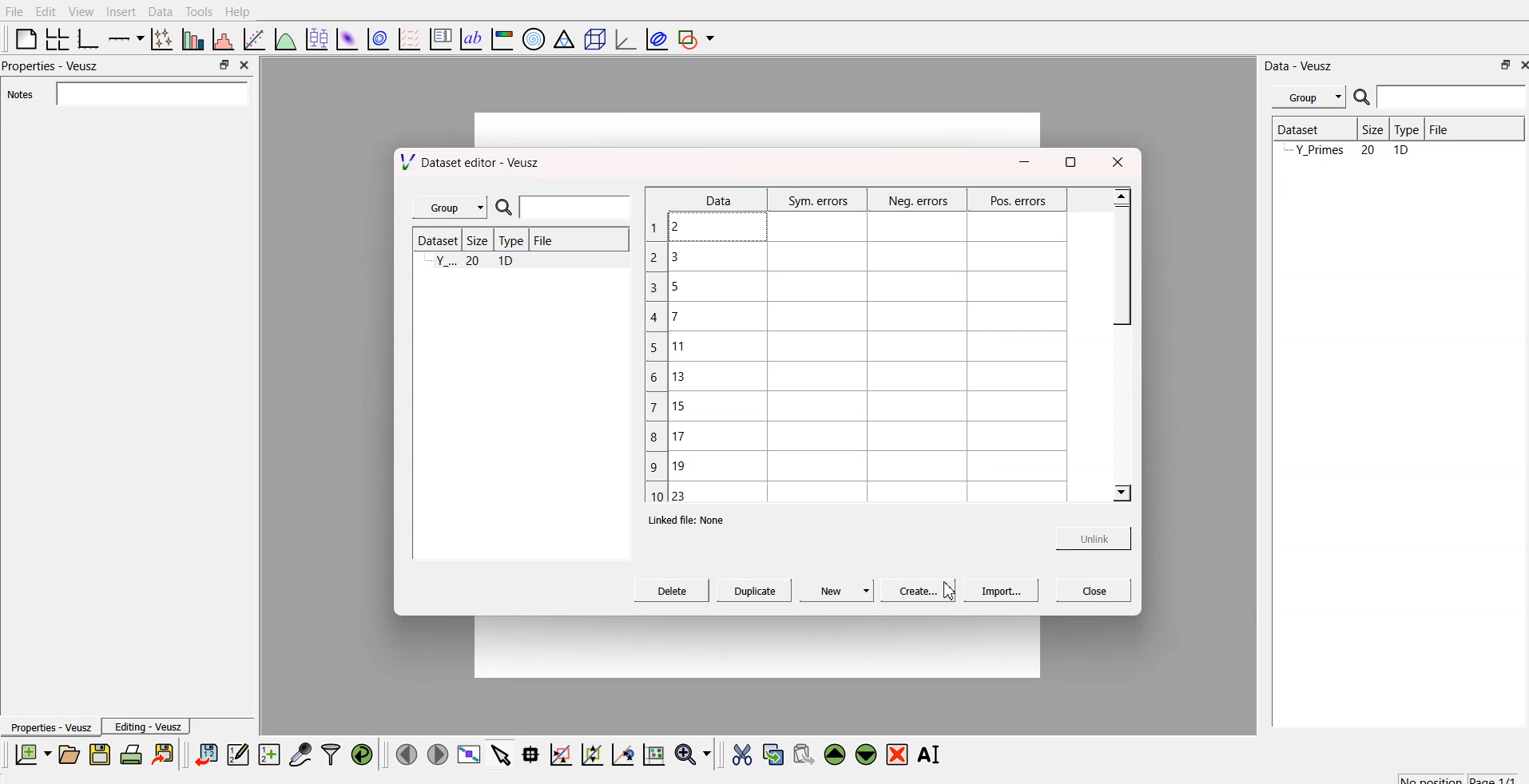  I want to click on maximize, so click(1070, 160).